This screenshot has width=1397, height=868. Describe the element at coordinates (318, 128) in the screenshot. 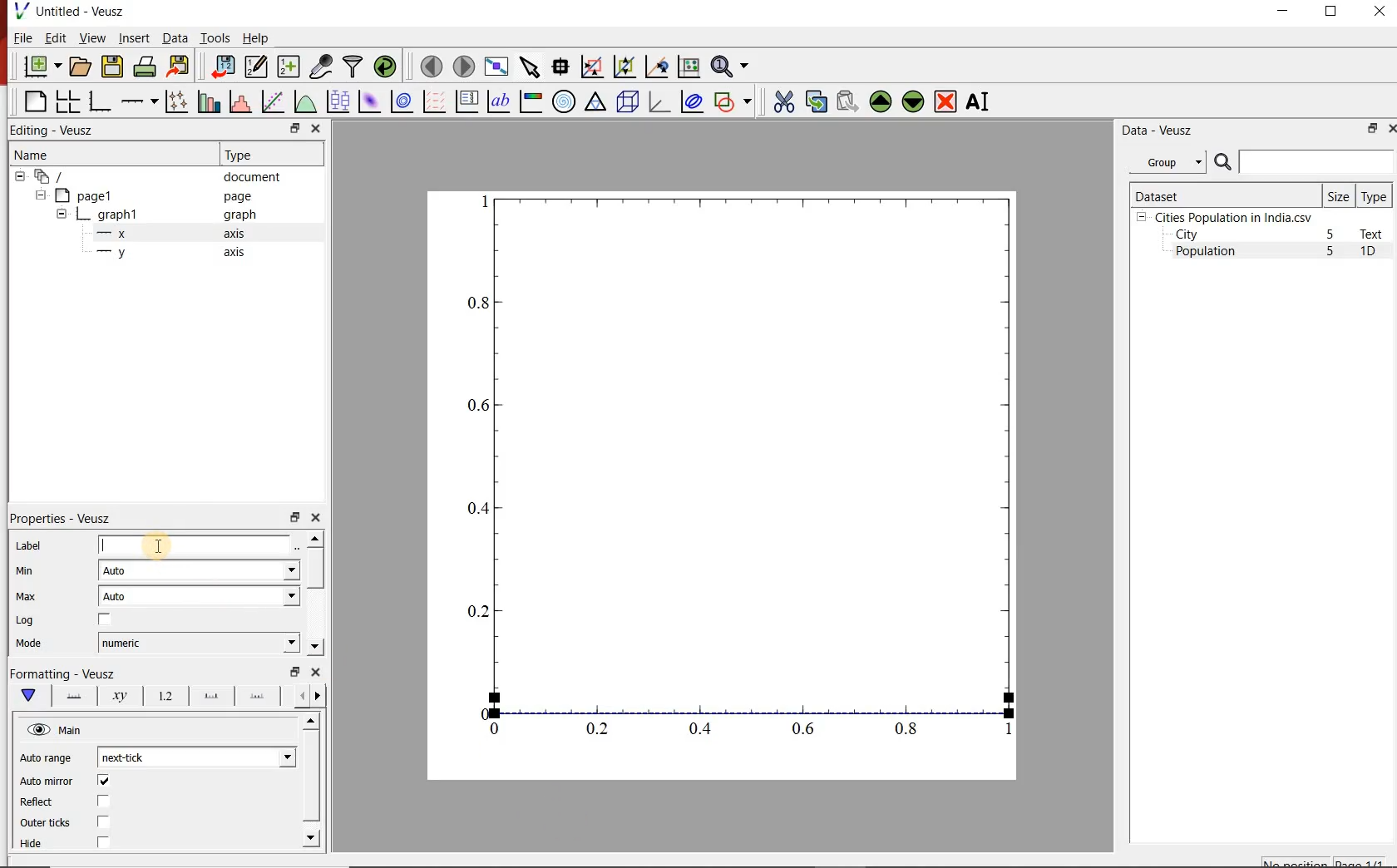

I see `close` at that location.